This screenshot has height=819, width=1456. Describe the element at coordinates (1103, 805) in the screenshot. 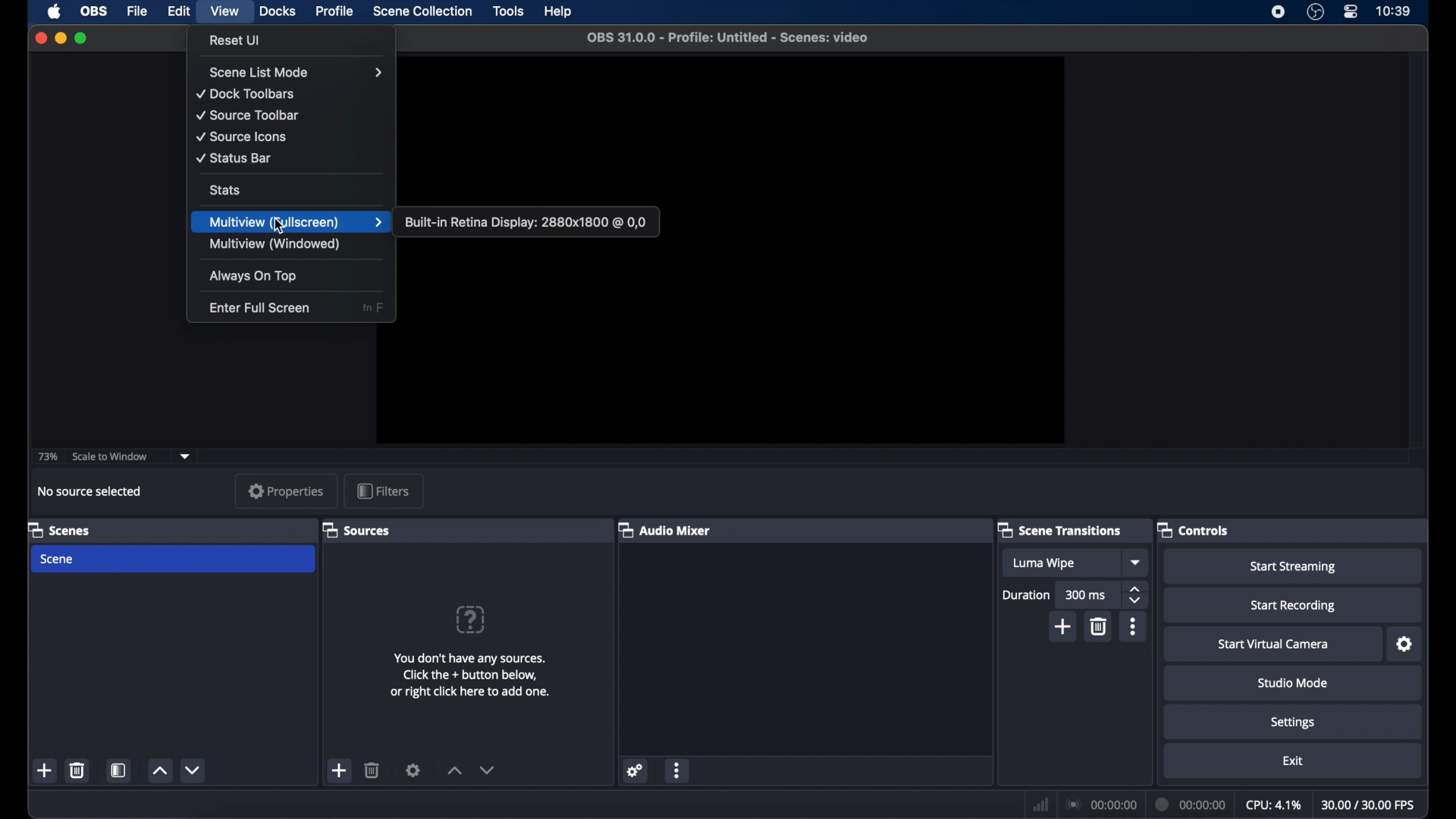

I see `00:00:00` at that location.